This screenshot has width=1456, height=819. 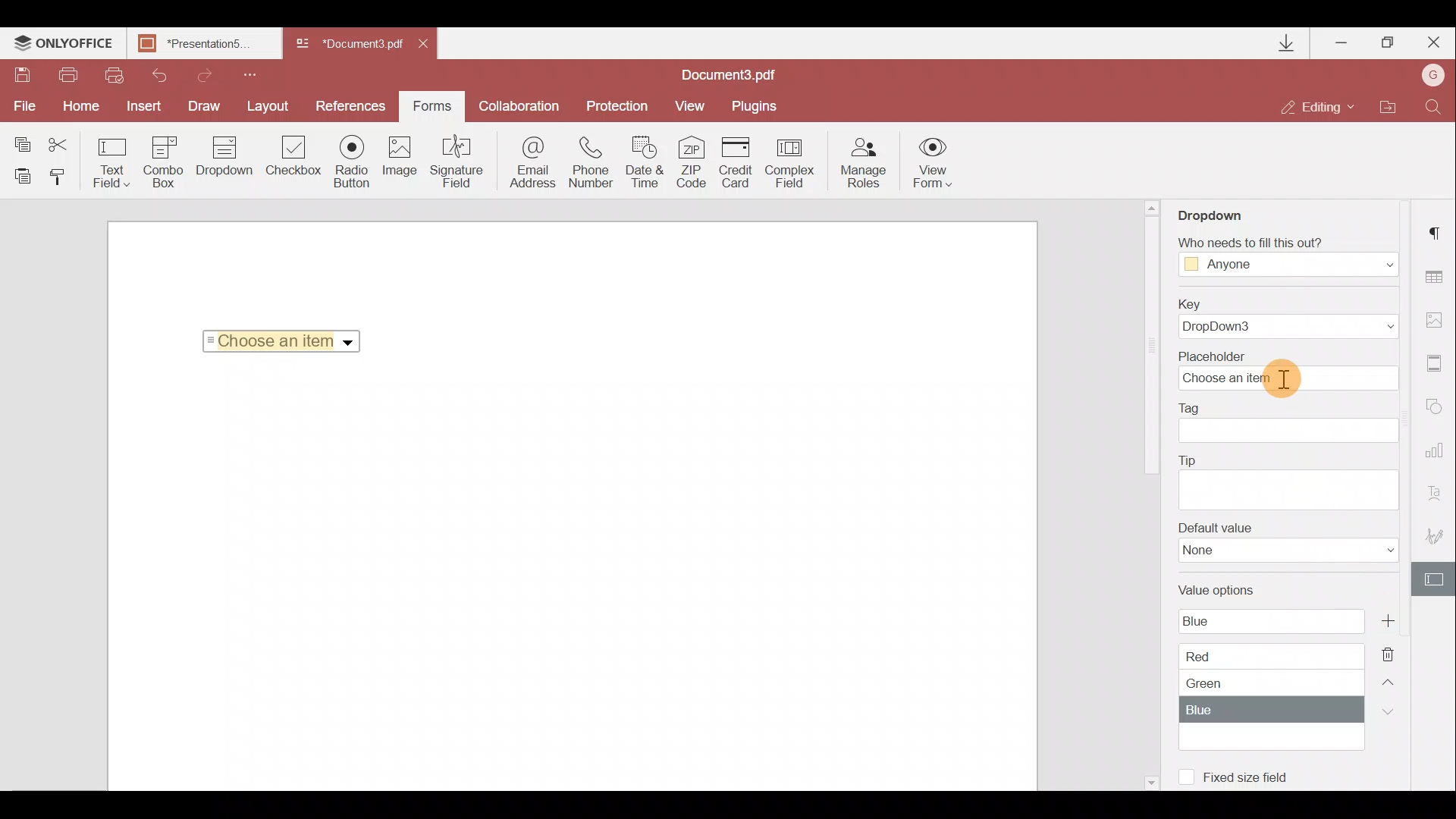 What do you see at coordinates (294, 157) in the screenshot?
I see `Checkbox` at bounding box center [294, 157].